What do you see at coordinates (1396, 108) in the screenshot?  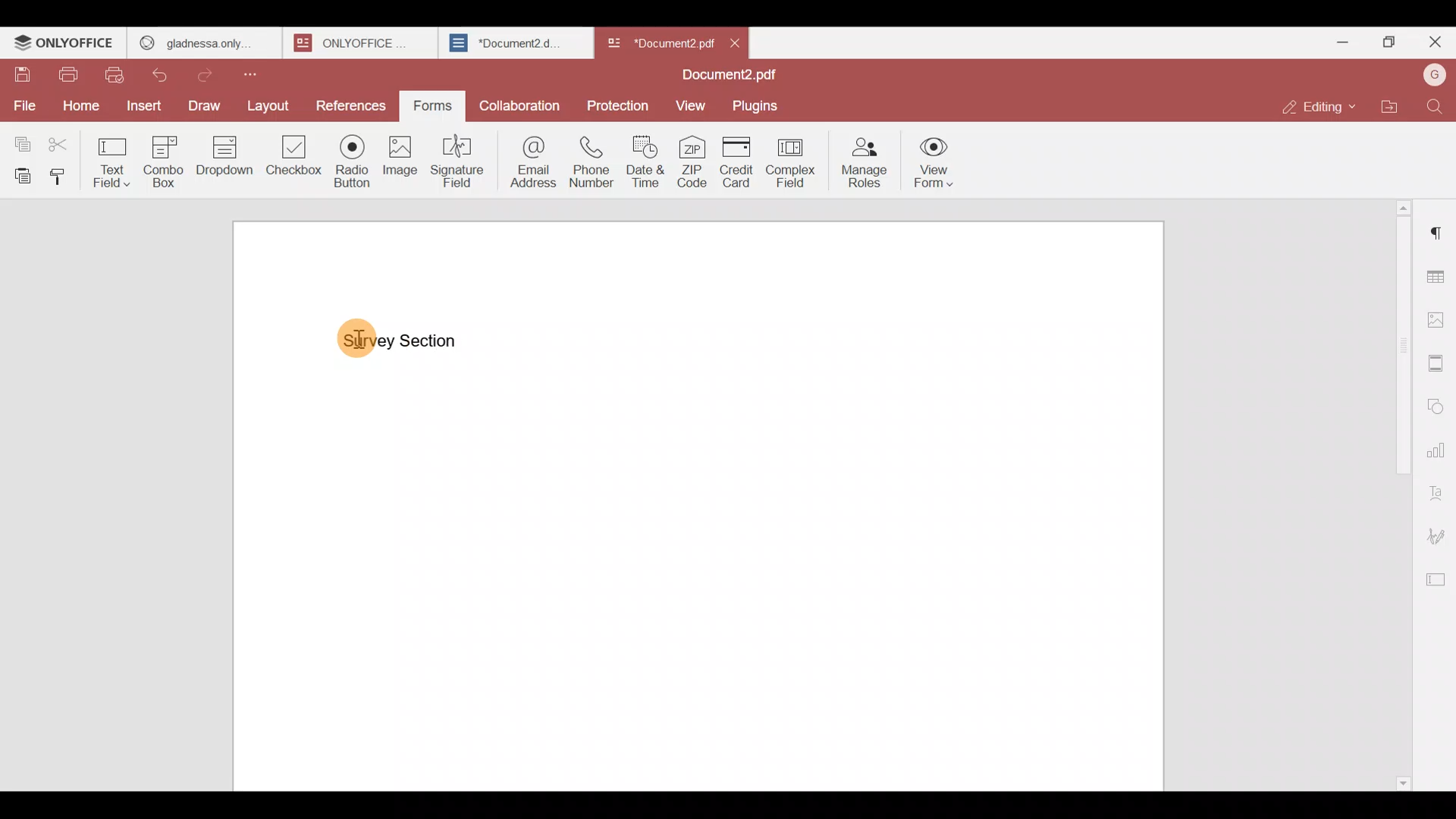 I see `Open file location` at bounding box center [1396, 108].